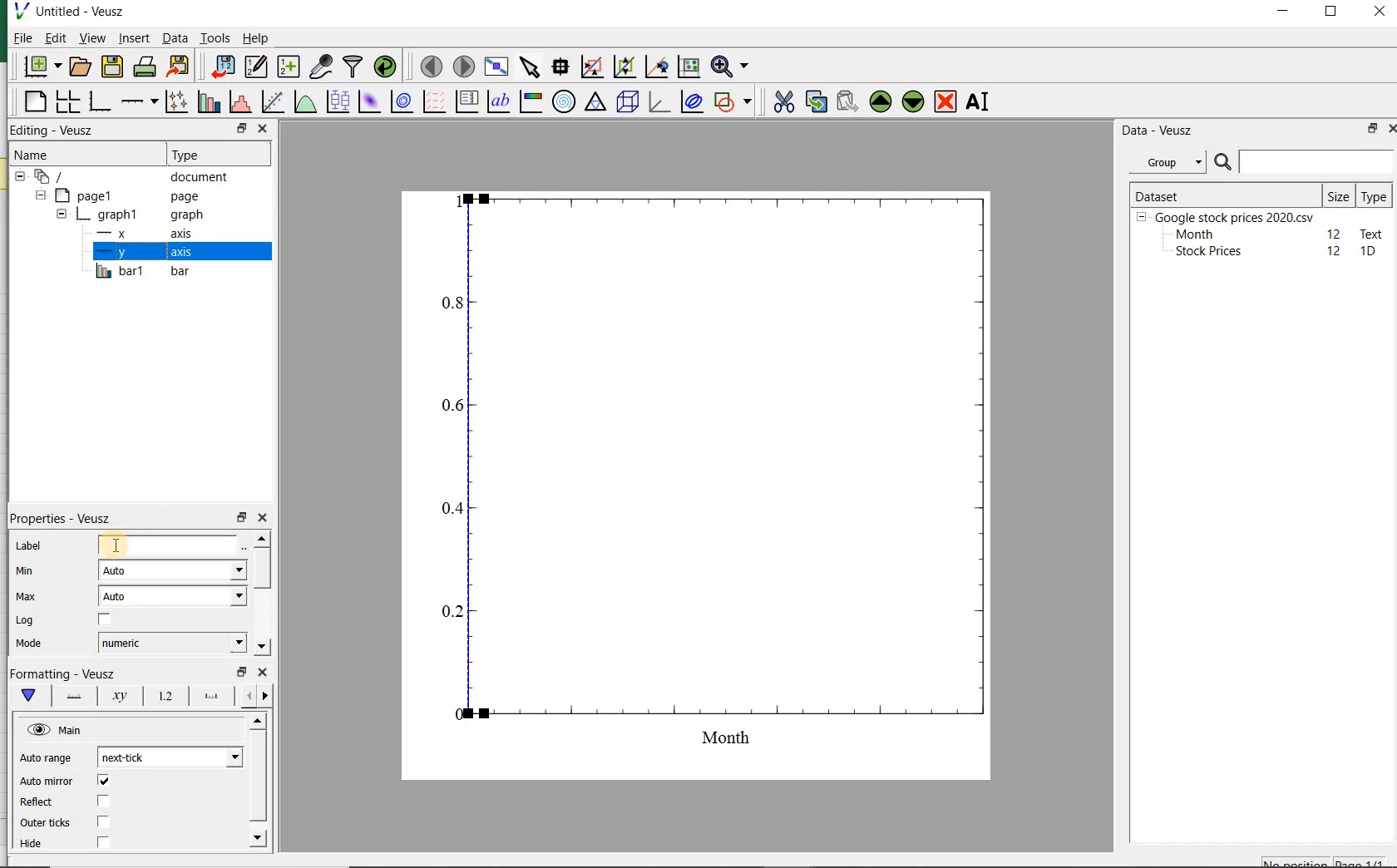 The image size is (1397, 868). What do you see at coordinates (241, 672) in the screenshot?
I see `restore` at bounding box center [241, 672].